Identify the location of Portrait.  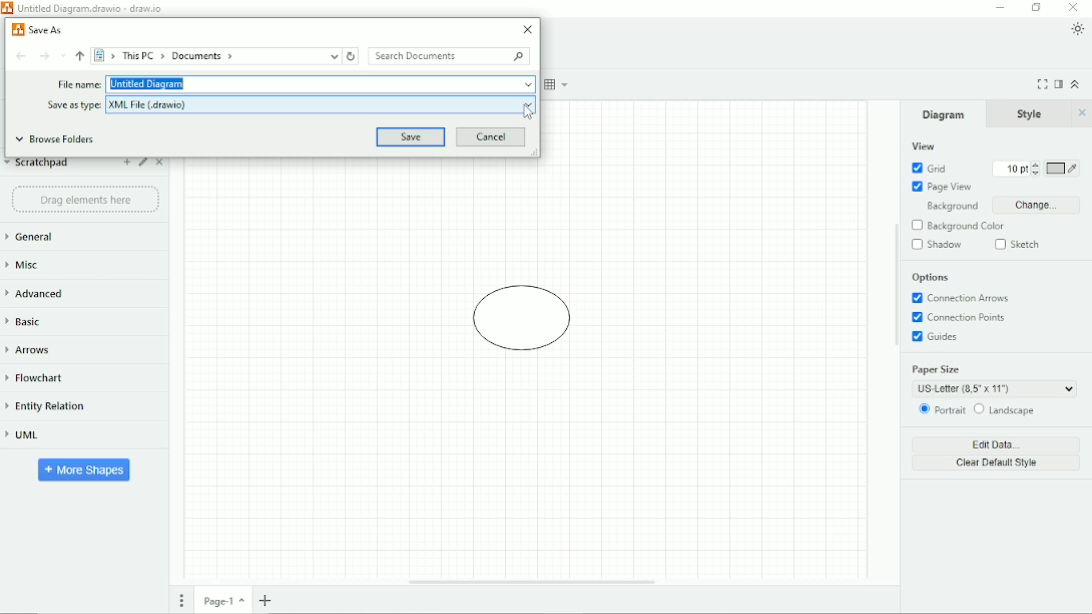
(942, 411).